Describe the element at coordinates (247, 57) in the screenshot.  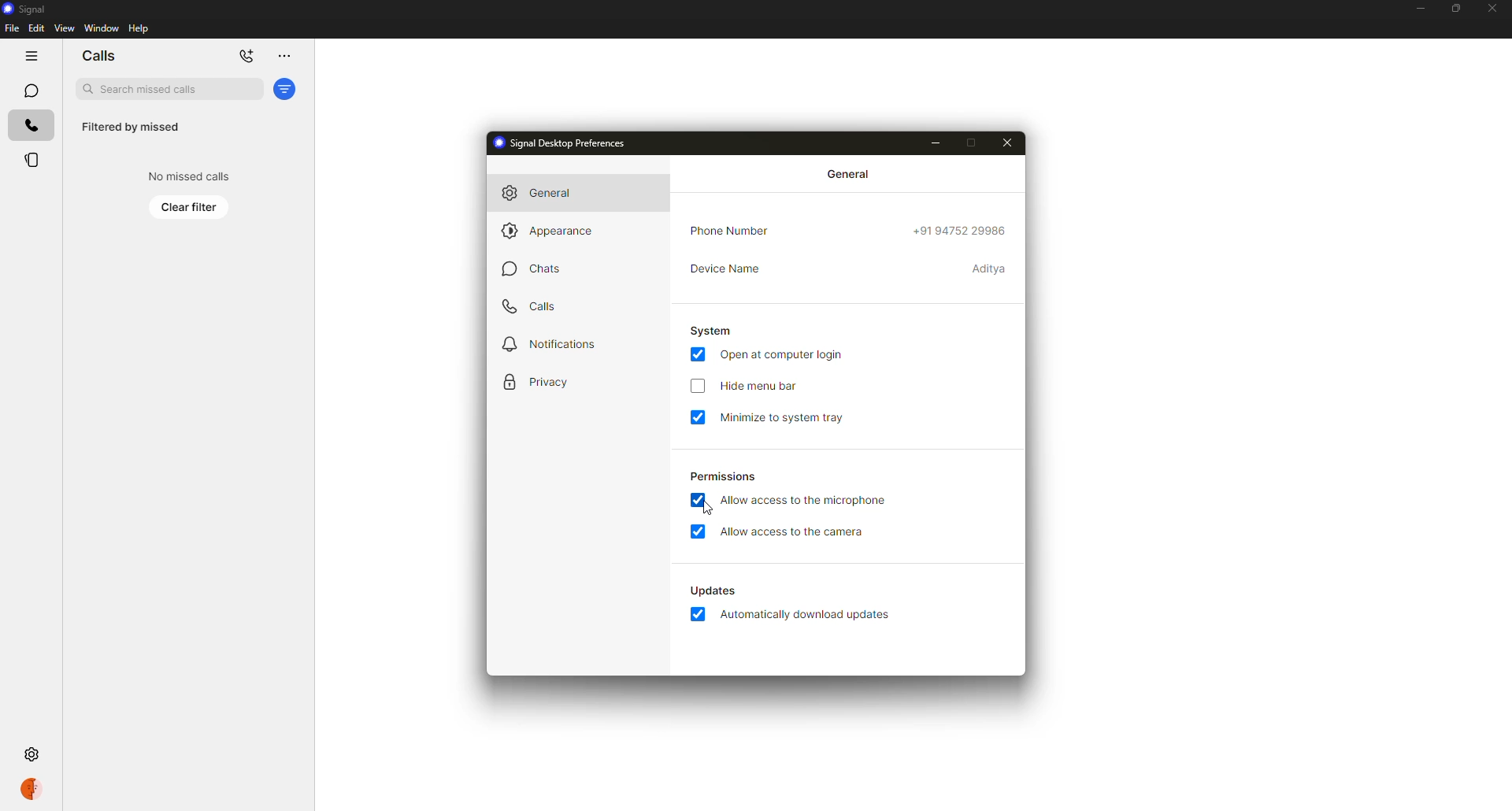
I see `add call` at that location.